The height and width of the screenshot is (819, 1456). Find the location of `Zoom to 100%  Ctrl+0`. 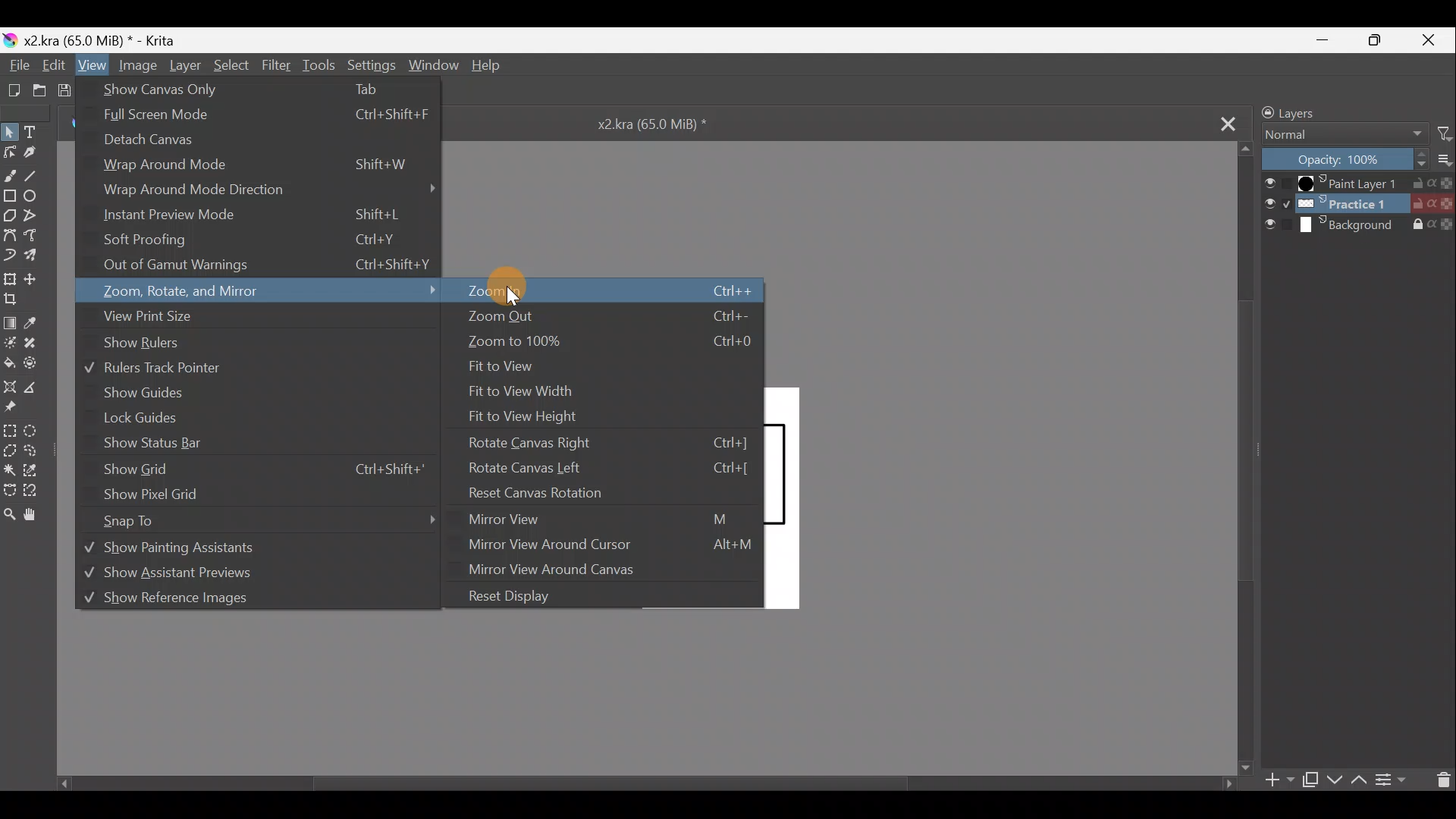

Zoom to 100%  Ctrl+0 is located at coordinates (610, 340).